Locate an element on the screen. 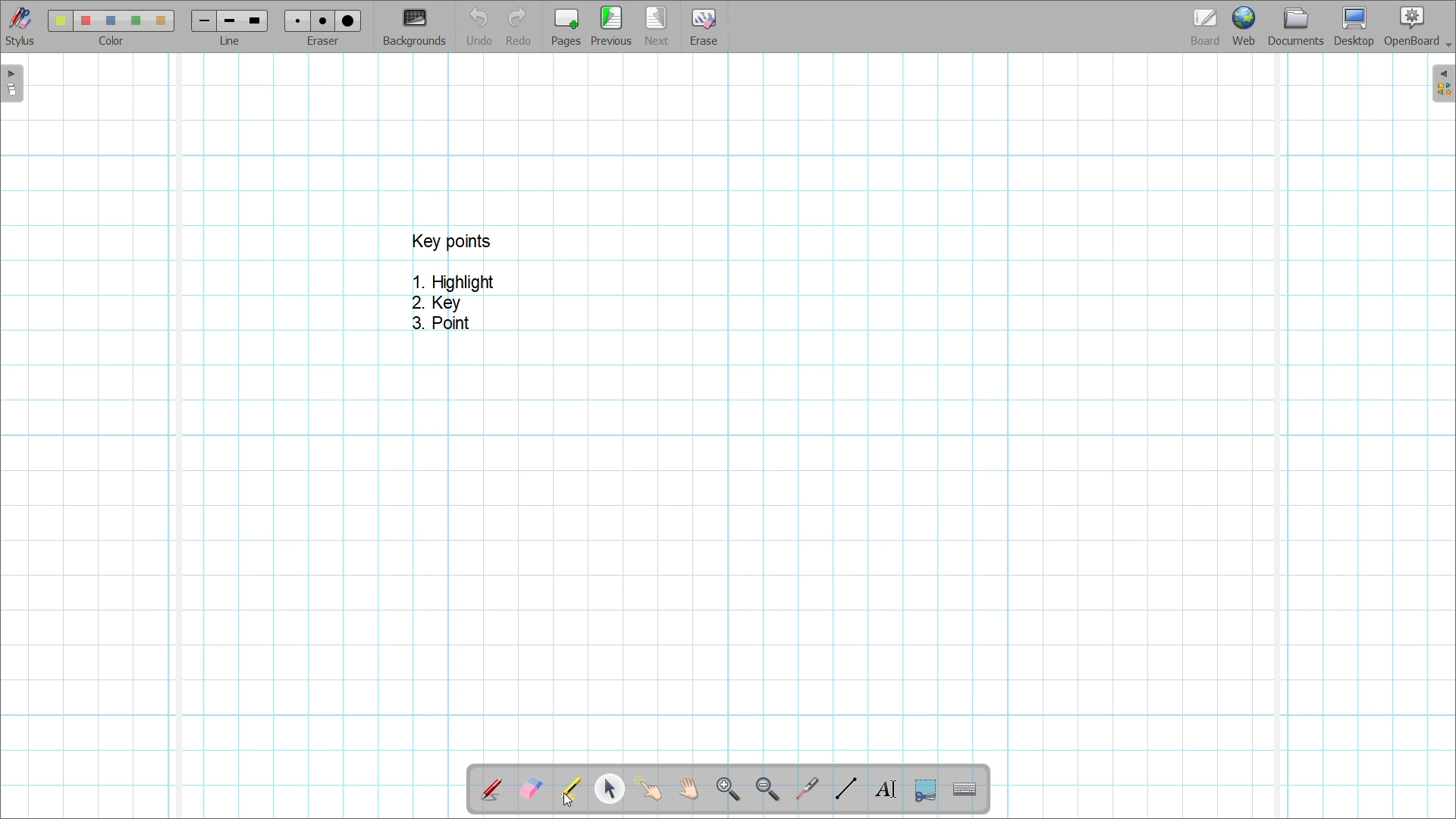 This screenshot has height=819, width=1456. Documents is located at coordinates (1296, 27).